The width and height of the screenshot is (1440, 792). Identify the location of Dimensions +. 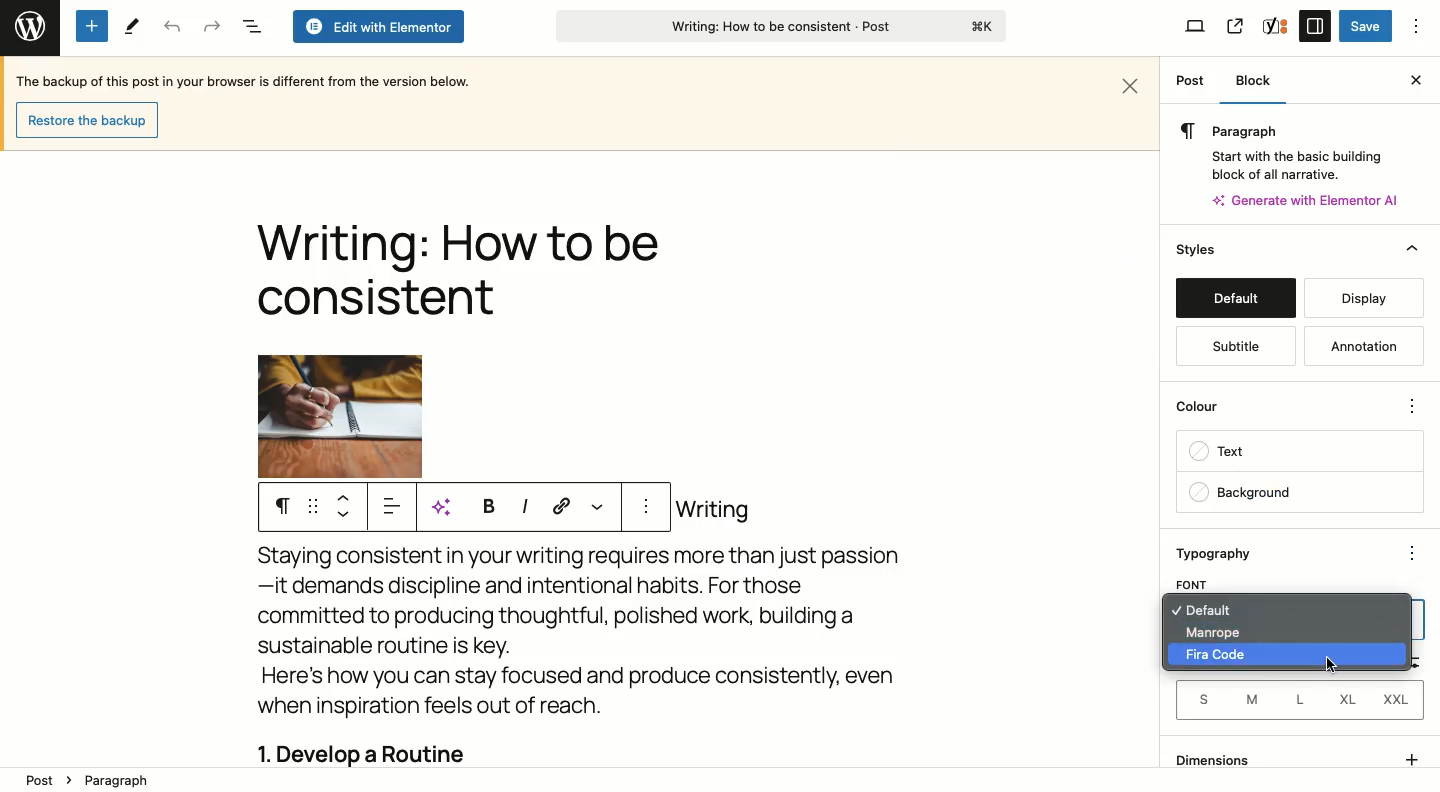
(1299, 756).